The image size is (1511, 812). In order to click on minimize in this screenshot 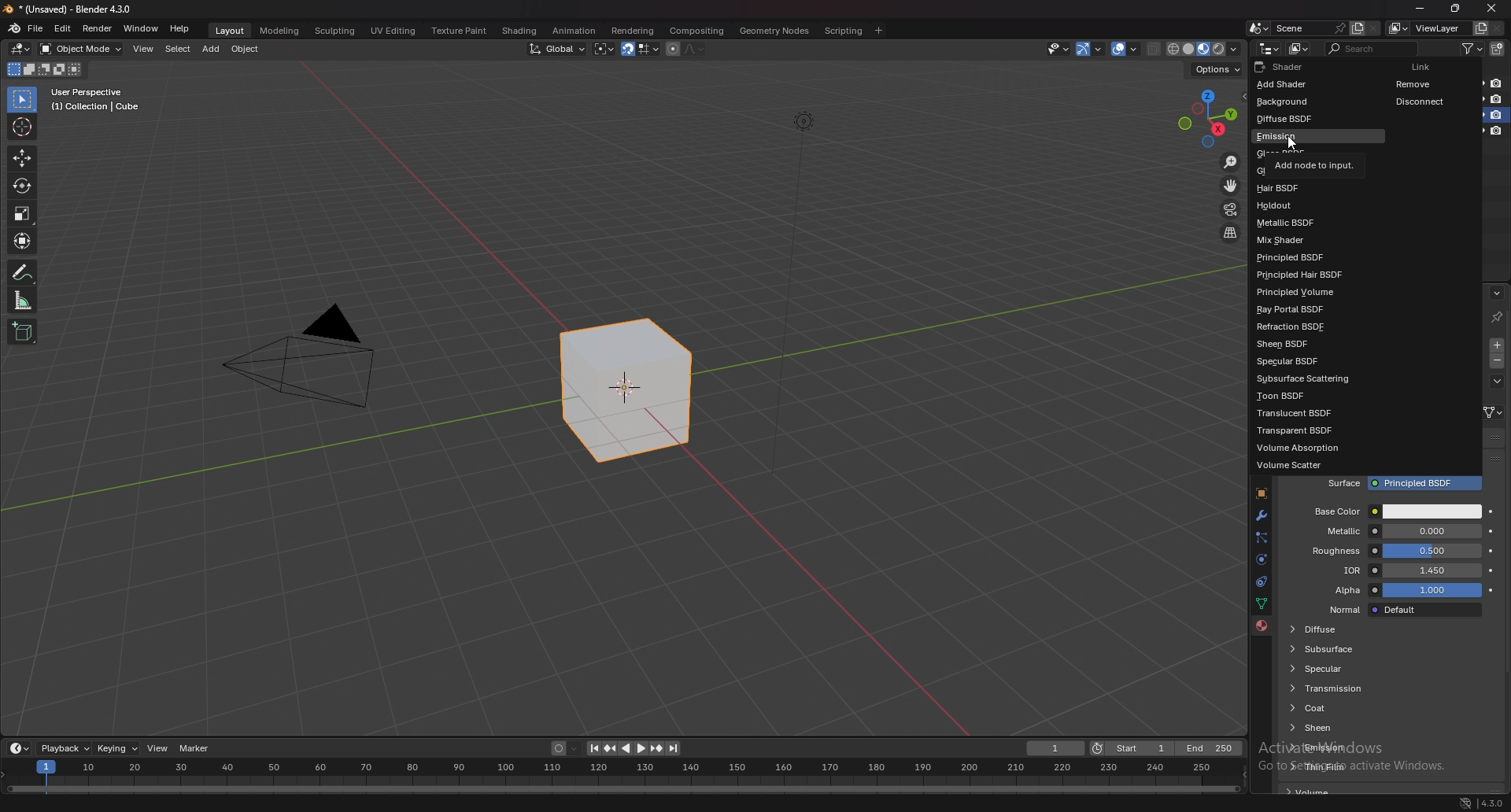, I will do `click(1420, 9)`.